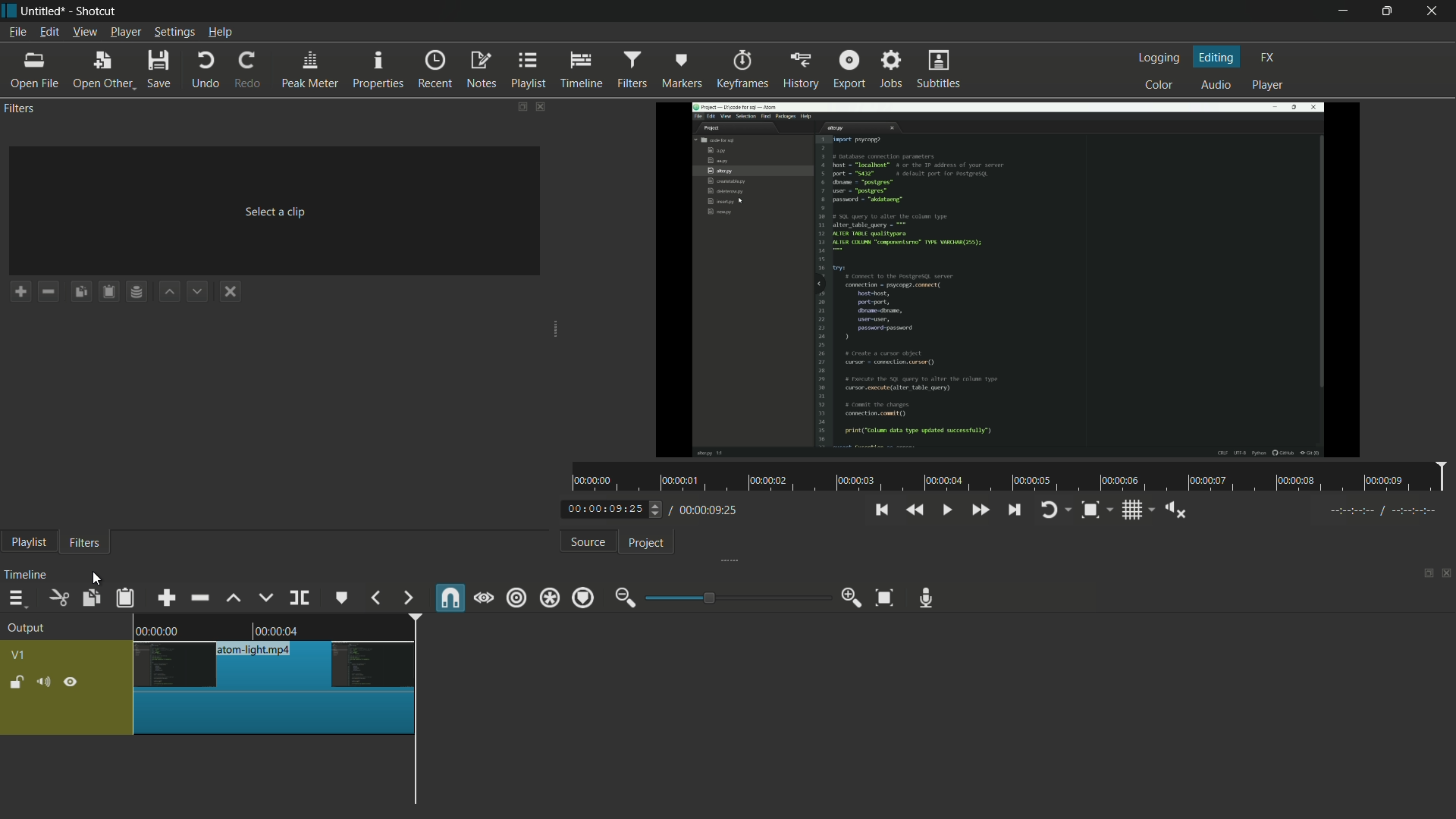  What do you see at coordinates (916, 510) in the screenshot?
I see `quickly play backward` at bounding box center [916, 510].